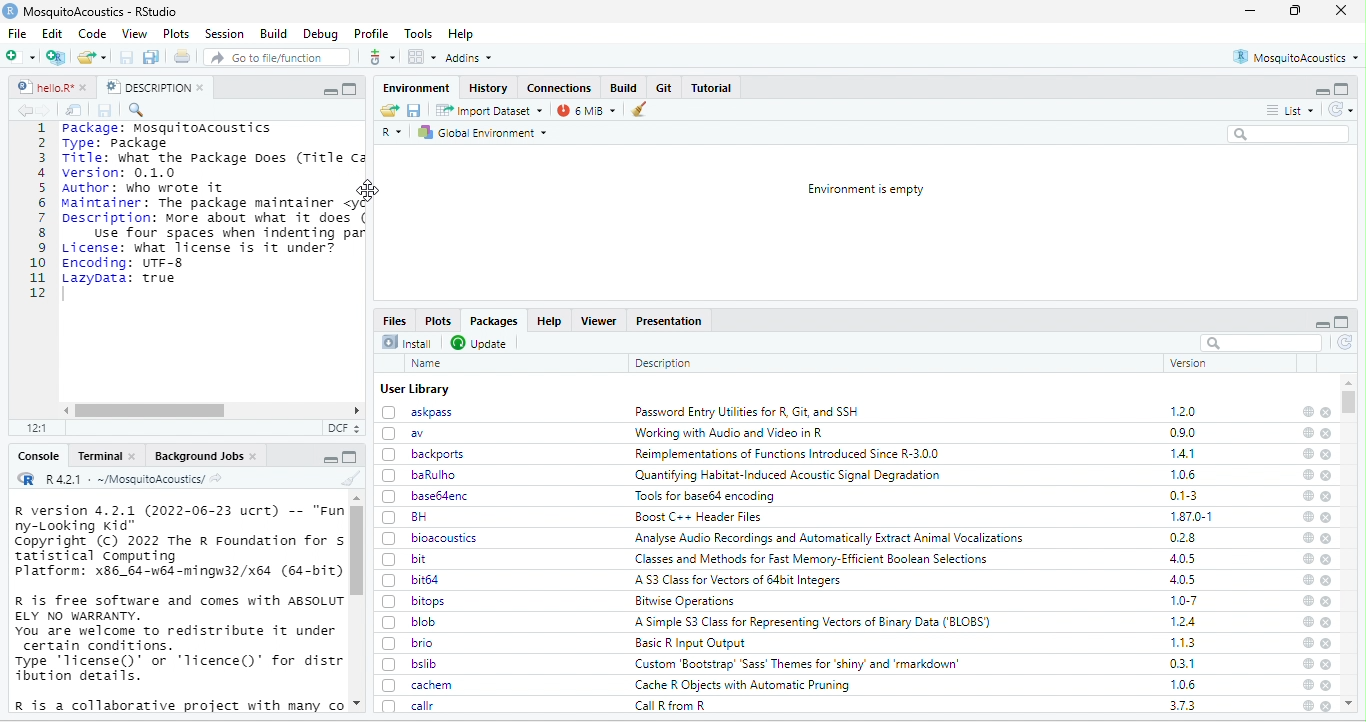  Describe the element at coordinates (394, 321) in the screenshot. I see `Files` at that location.